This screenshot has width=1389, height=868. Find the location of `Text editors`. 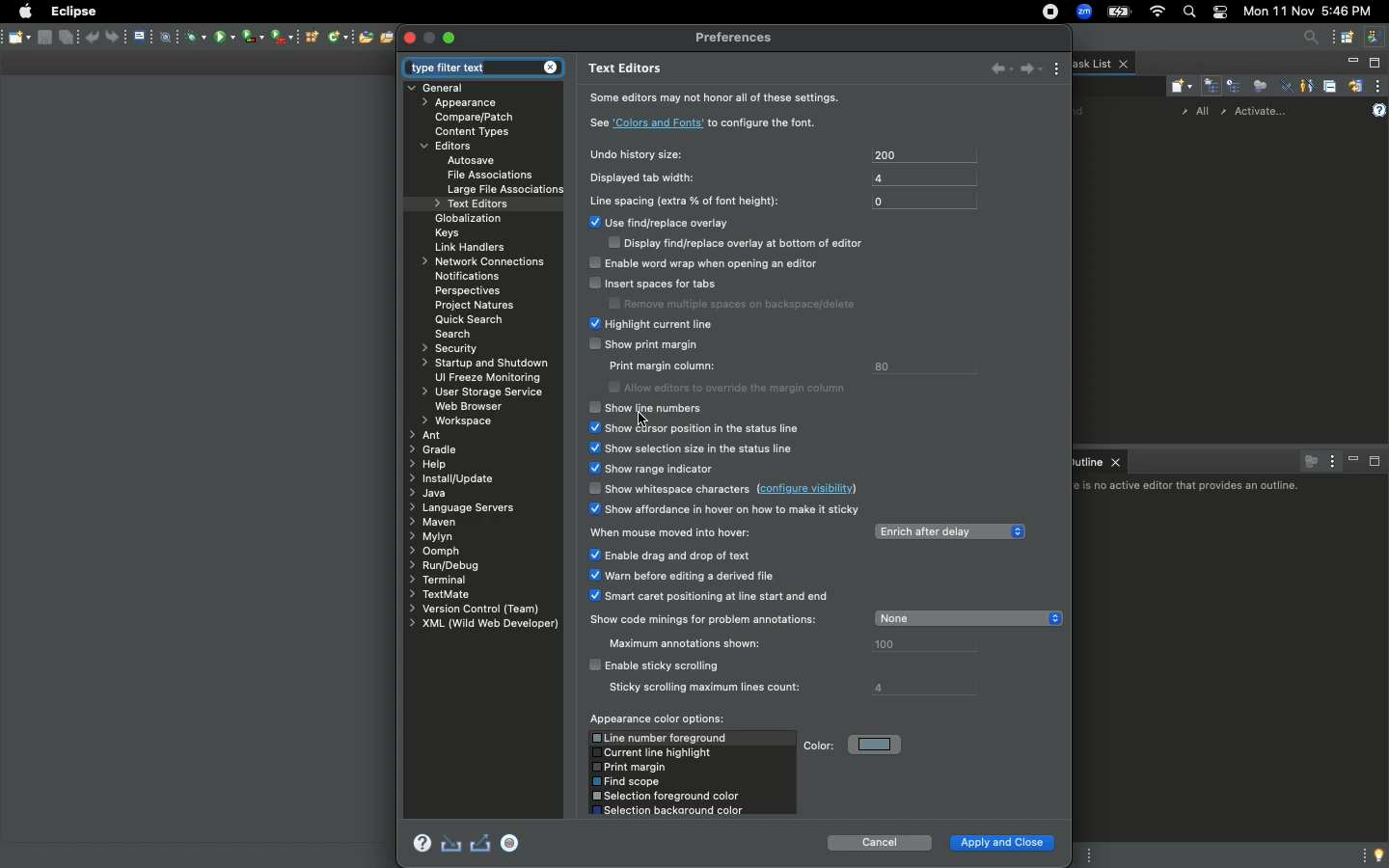

Text editors is located at coordinates (629, 68).